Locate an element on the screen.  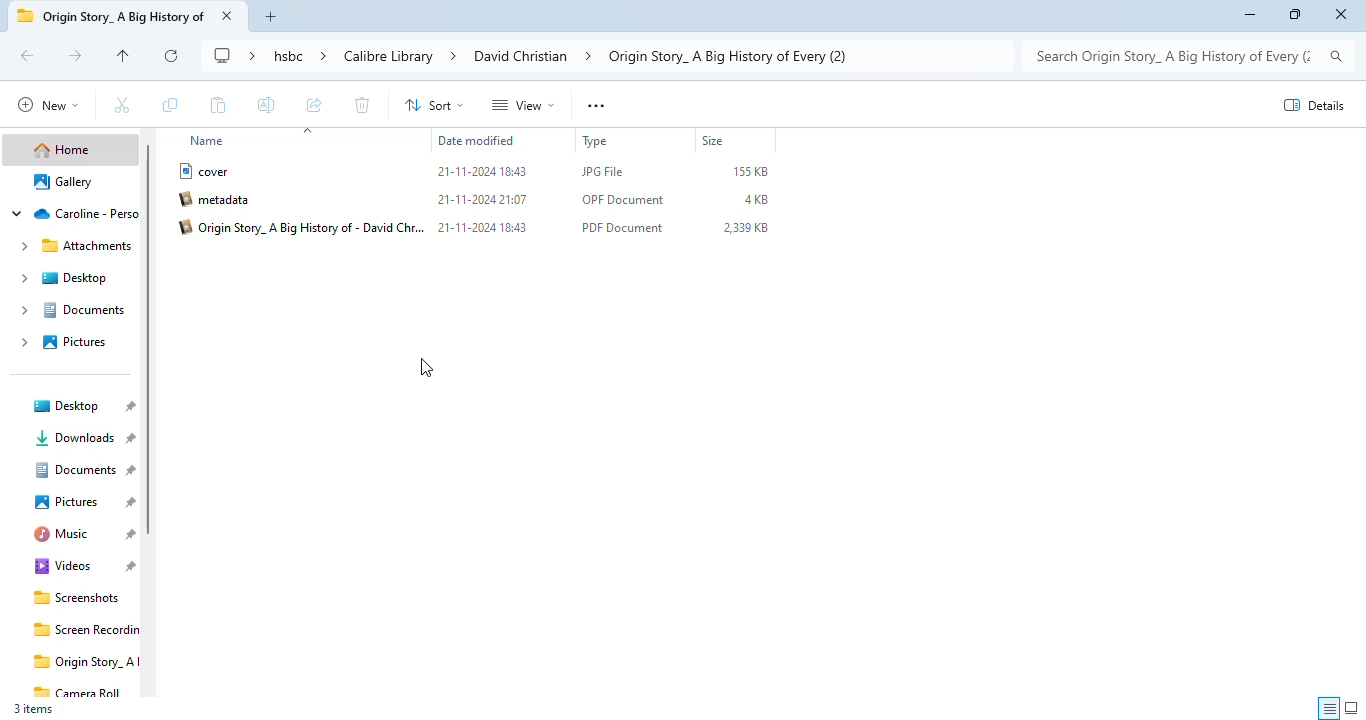
minimize is located at coordinates (1248, 15).